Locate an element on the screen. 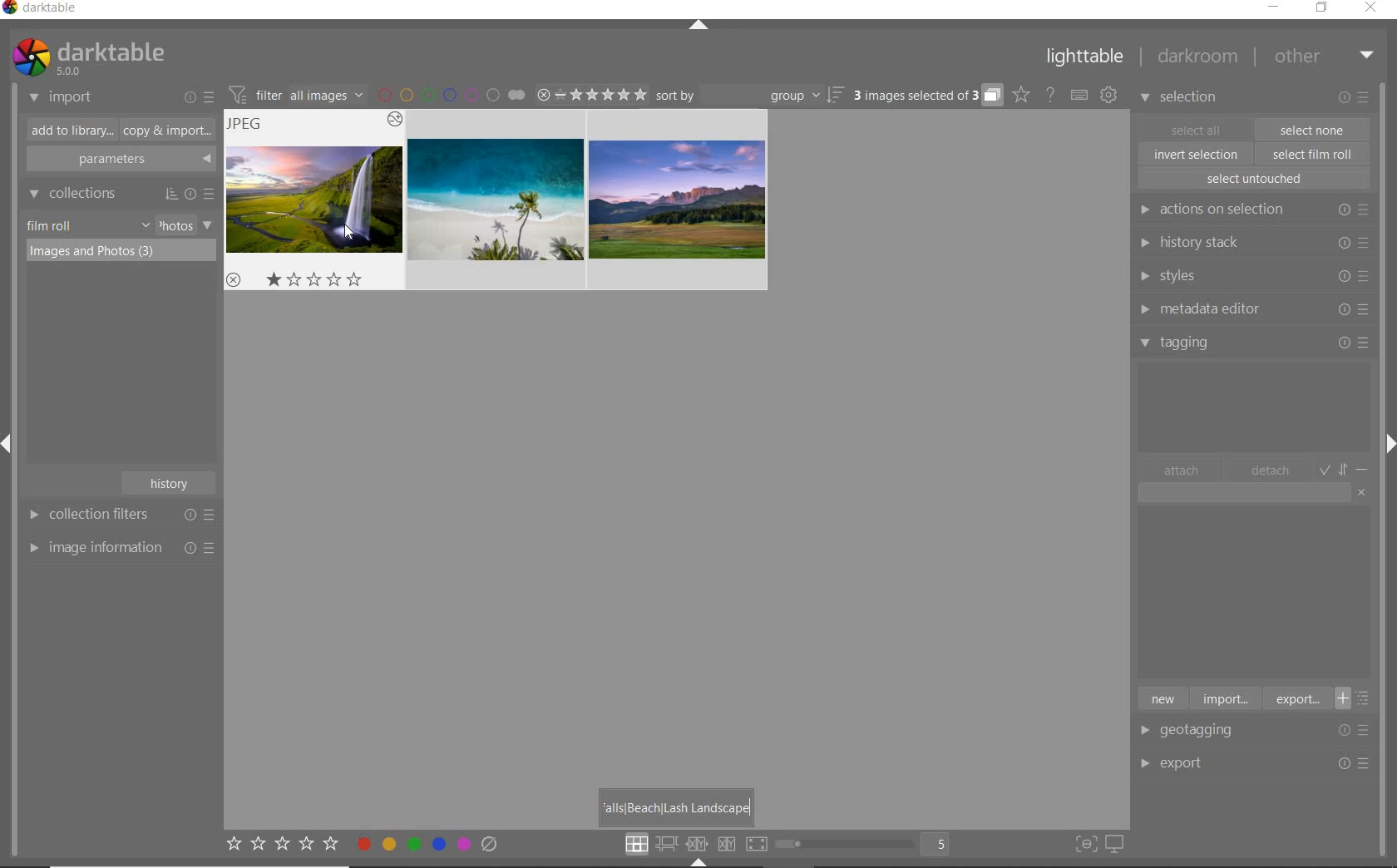  sort is located at coordinates (750, 96).